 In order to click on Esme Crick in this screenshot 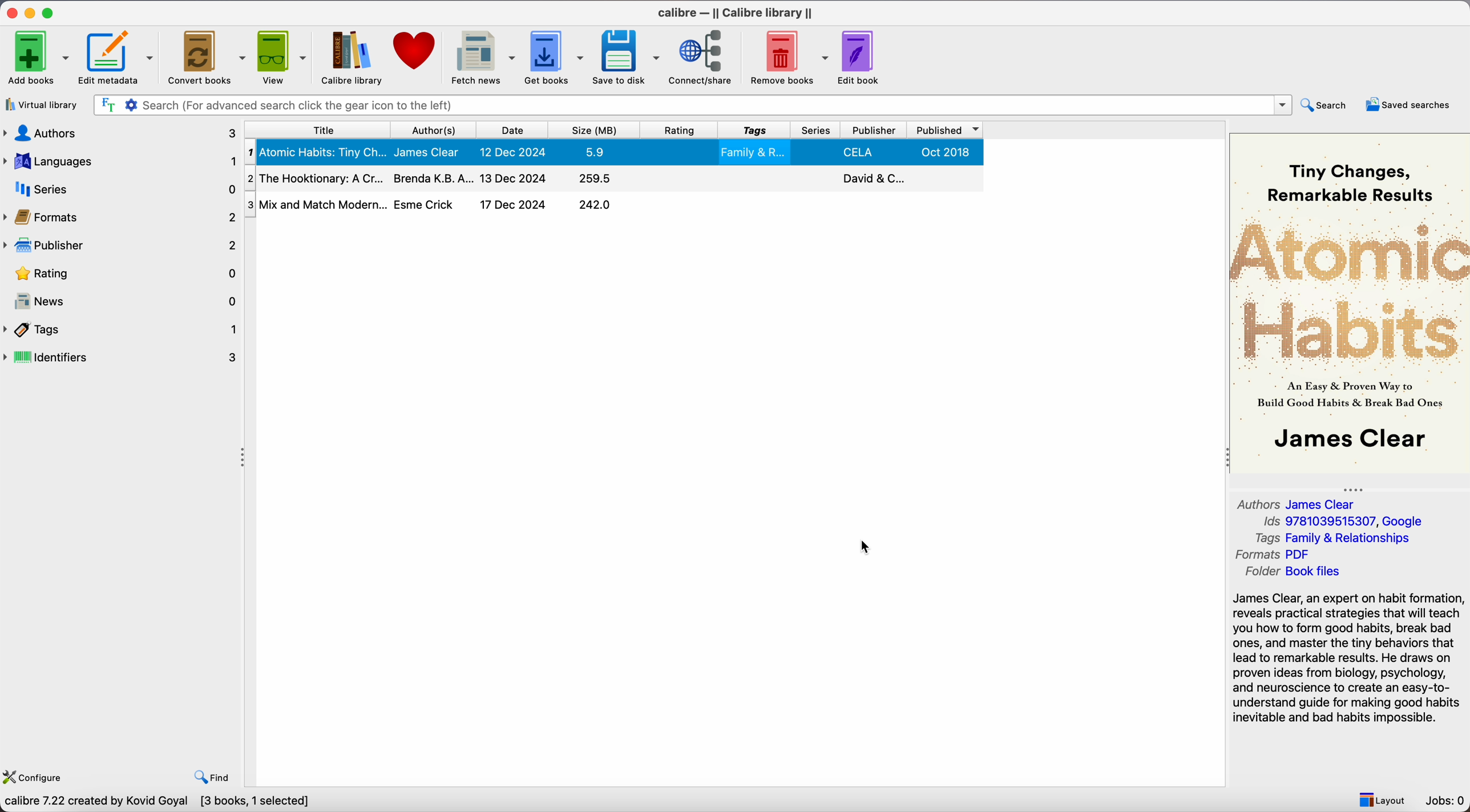, I will do `click(427, 204)`.